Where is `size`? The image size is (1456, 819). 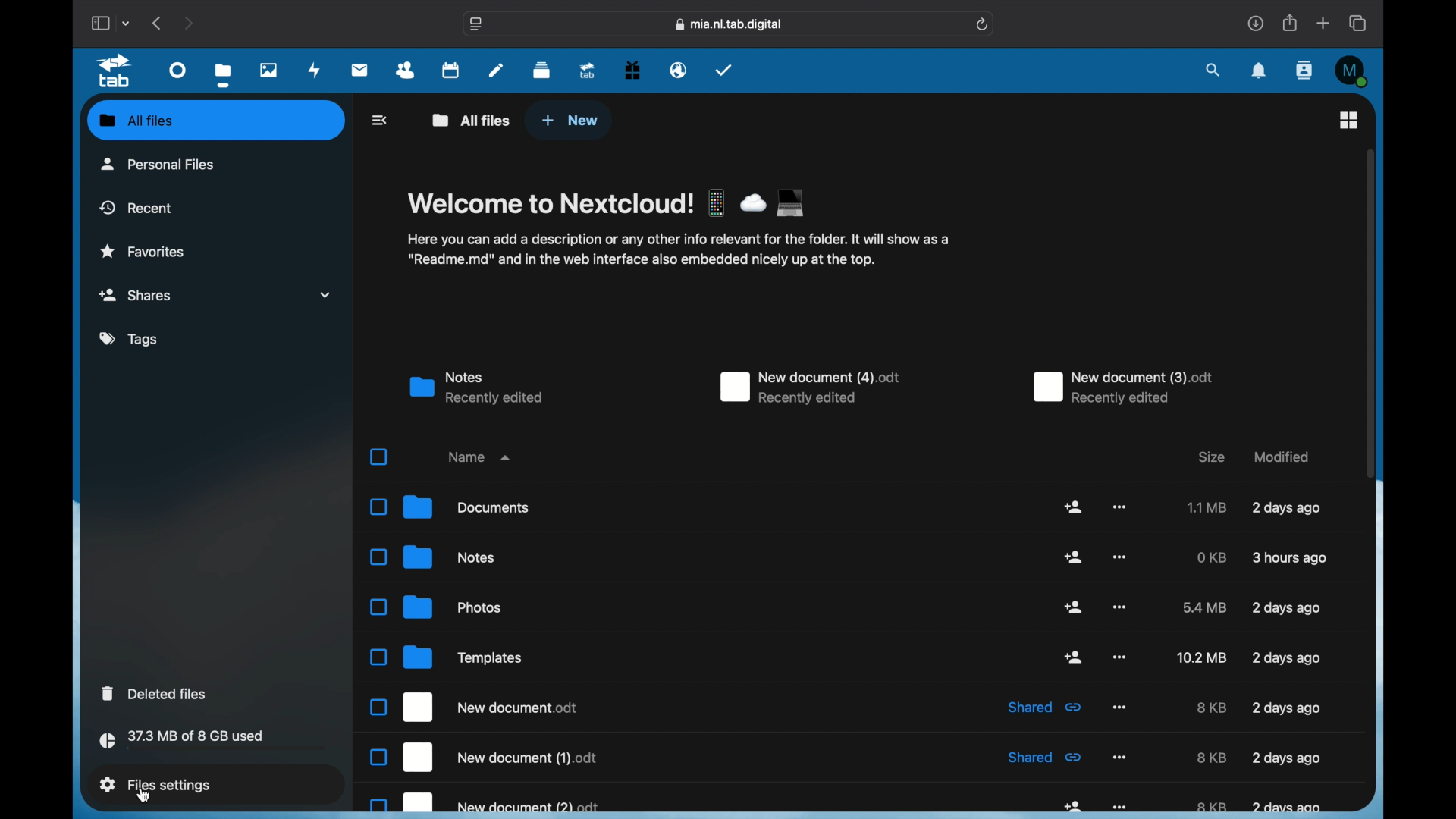
size is located at coordinates (1205, 607).